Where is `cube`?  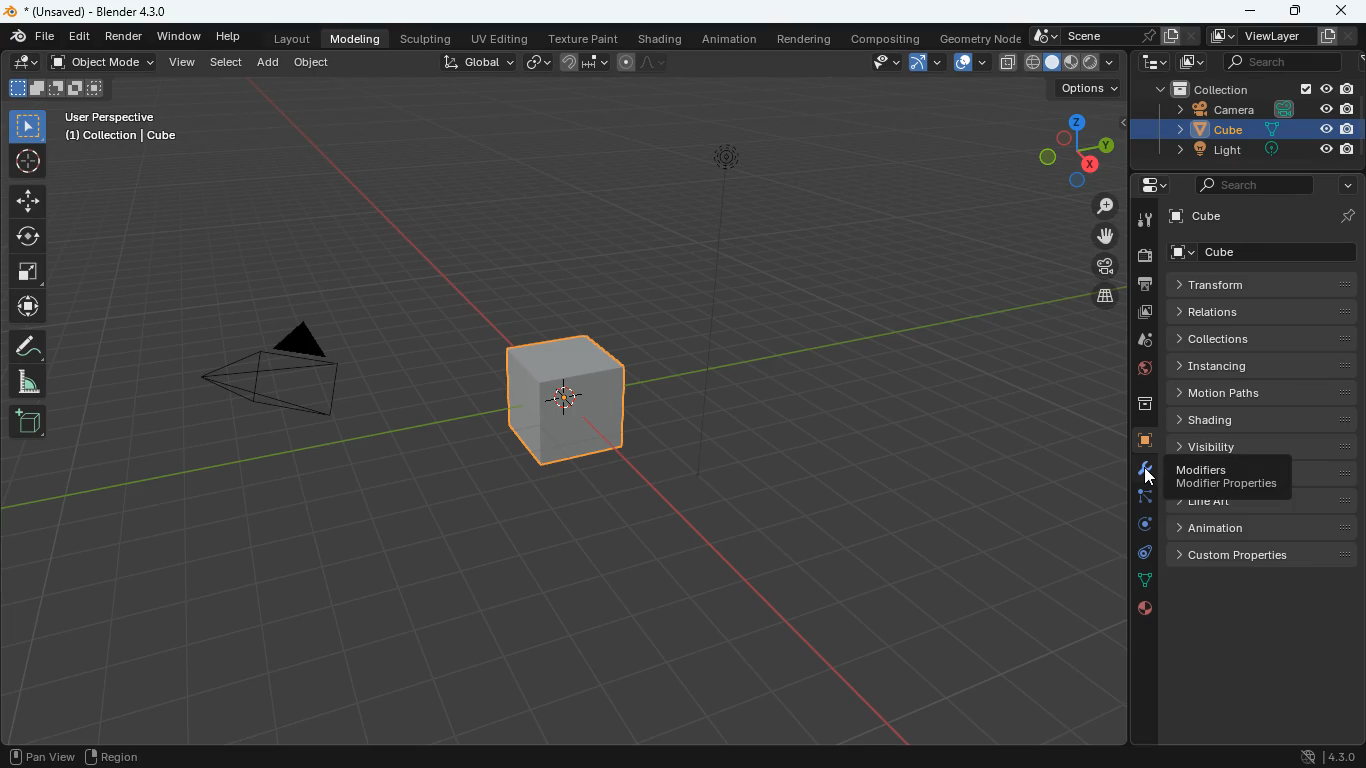 cube is located at coordinates (1265, 216).